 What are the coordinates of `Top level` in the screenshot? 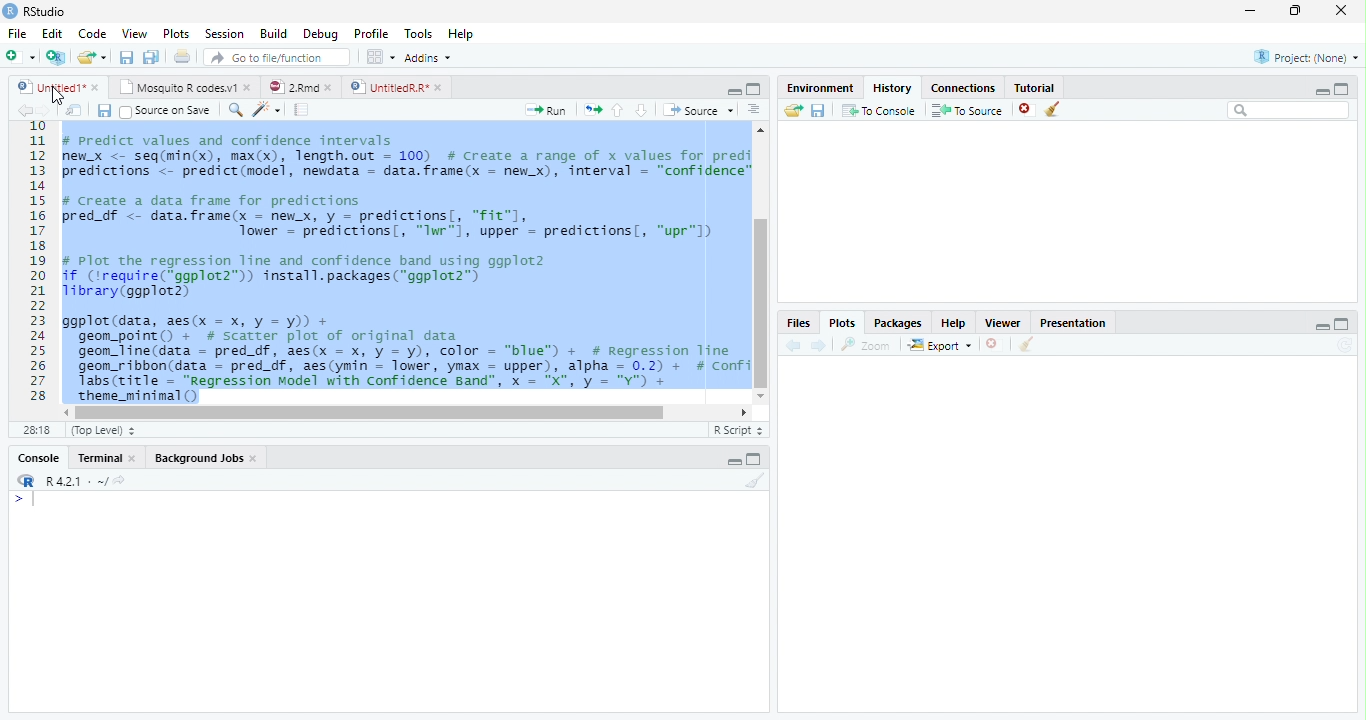 It's located at (102, 432).